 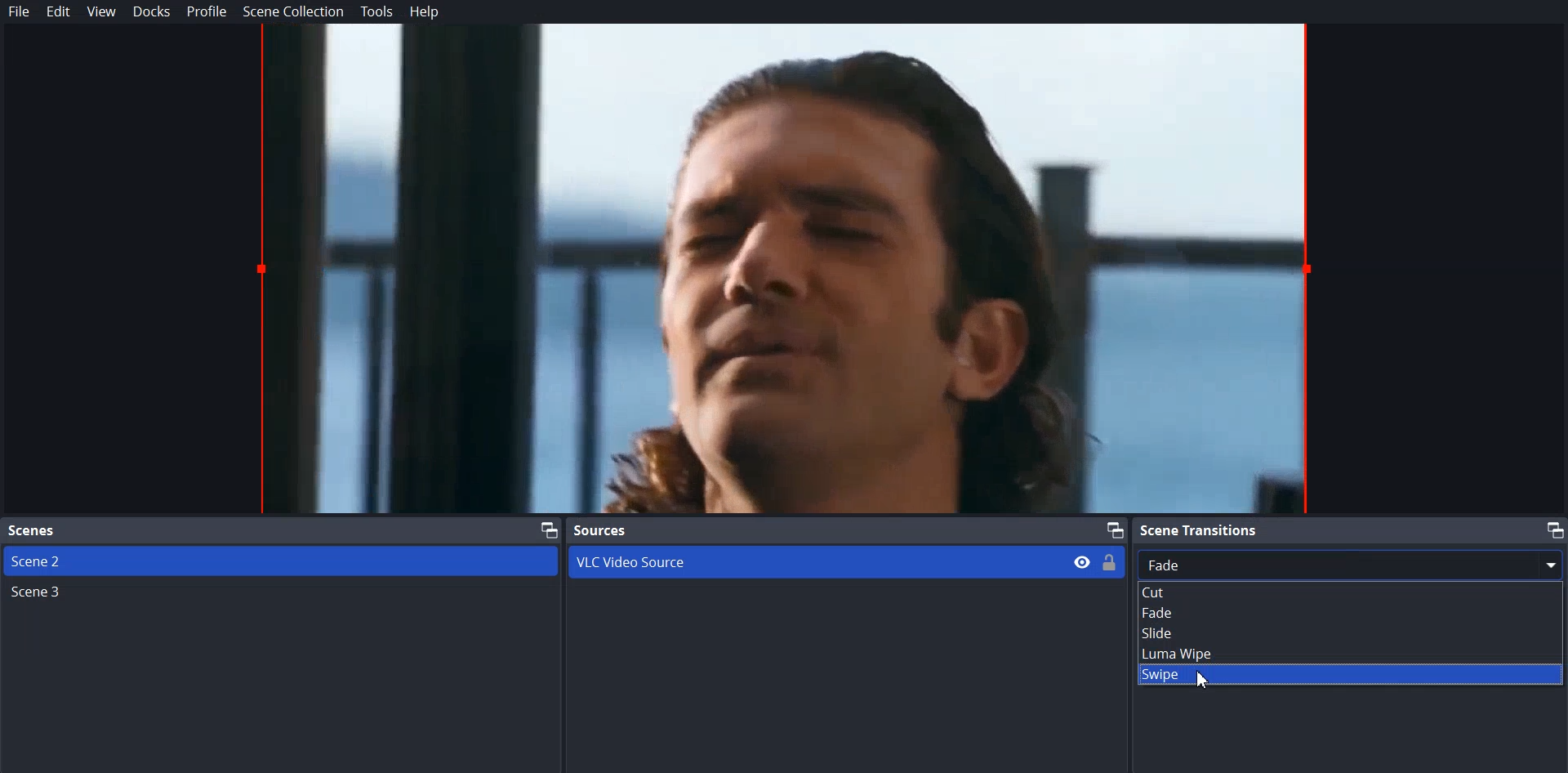 What do you see at coordinates (812, 561) in the screenshot?
I see `VLC Video Source` at bounding box center [812, 561].